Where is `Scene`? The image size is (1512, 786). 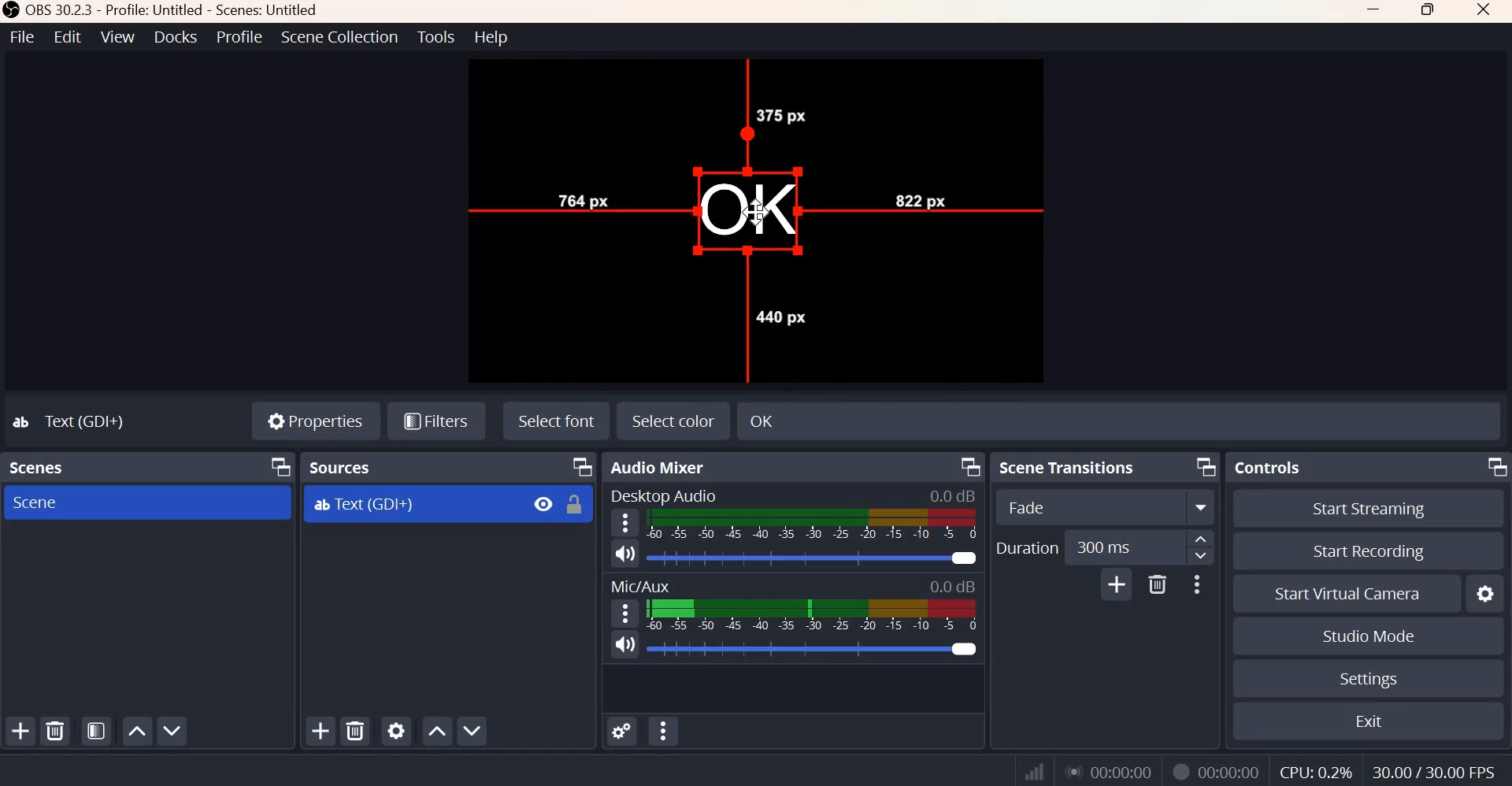 Scene is located at coordinates (39, 502).